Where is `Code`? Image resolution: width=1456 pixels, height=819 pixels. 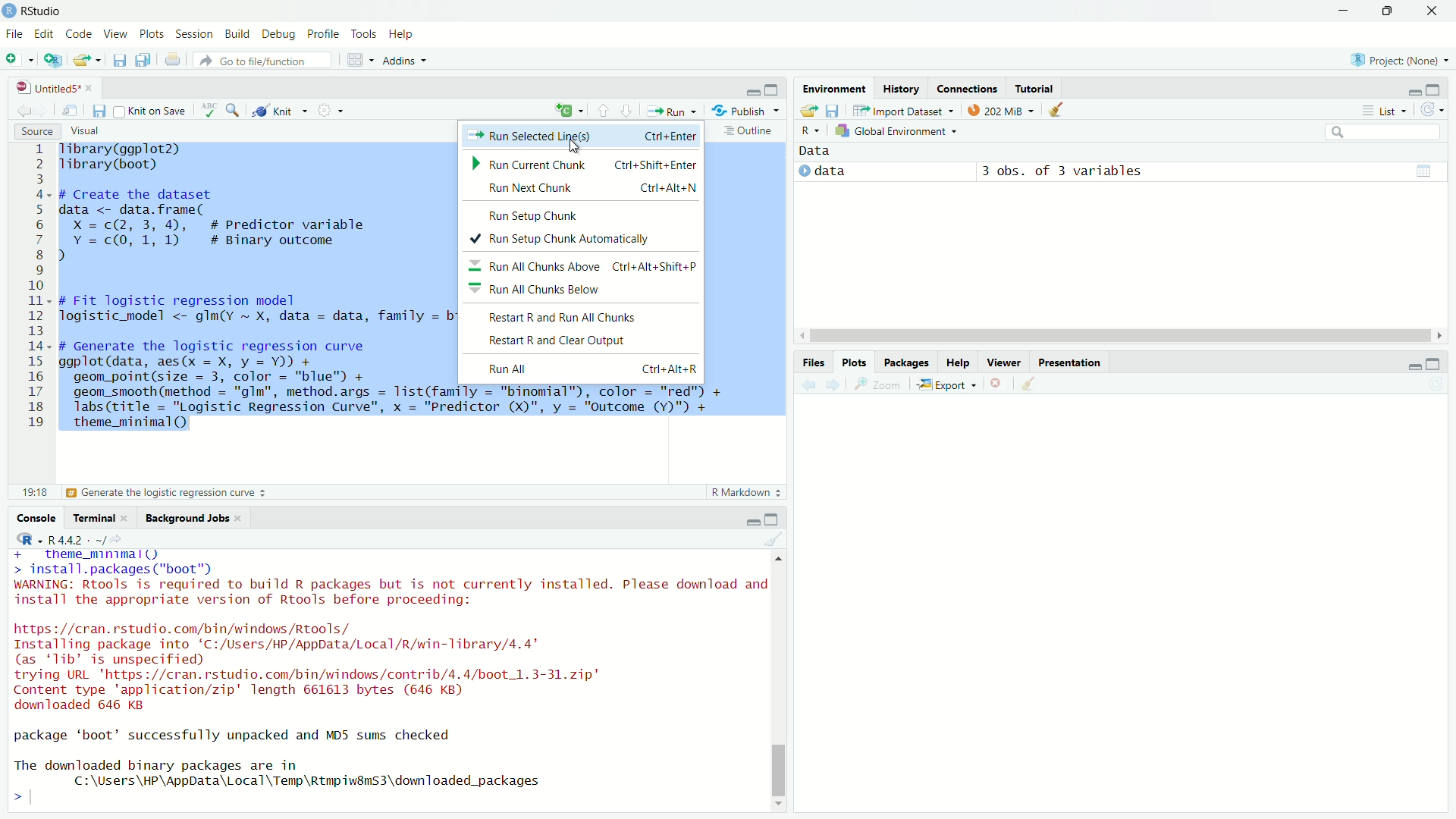
Code is located at coordinates (77, 33).